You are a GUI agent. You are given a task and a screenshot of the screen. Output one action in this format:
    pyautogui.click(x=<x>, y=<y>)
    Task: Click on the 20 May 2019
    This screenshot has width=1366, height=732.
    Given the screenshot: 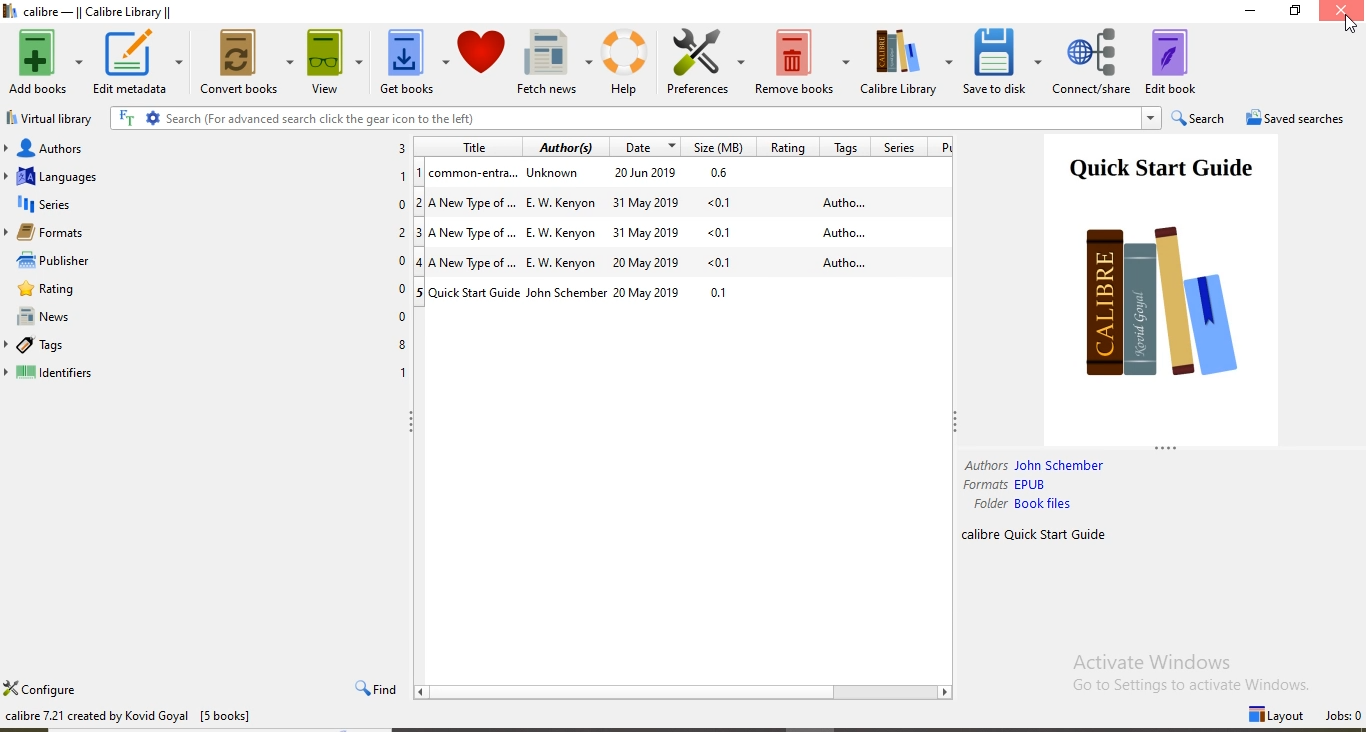 What is the action you would take?
    pyautogui.click(x=650, y=291)
    